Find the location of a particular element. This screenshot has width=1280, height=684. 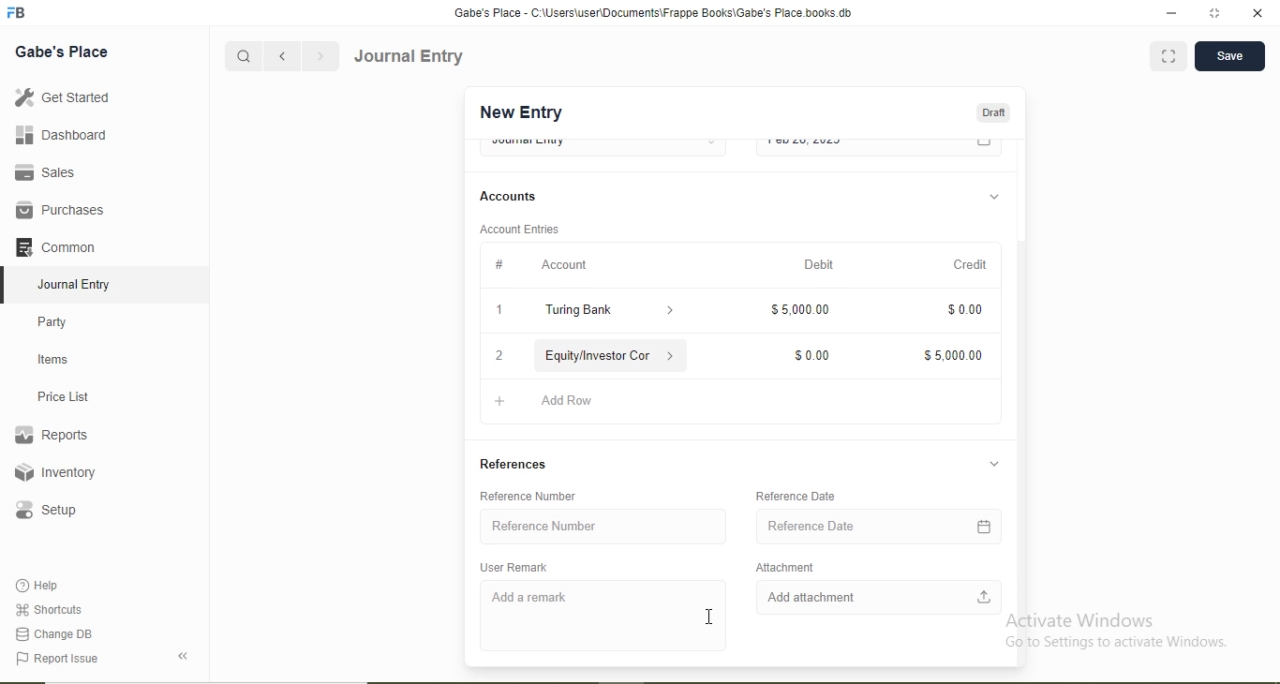

Full screen is located at coordinates (1169, 55).